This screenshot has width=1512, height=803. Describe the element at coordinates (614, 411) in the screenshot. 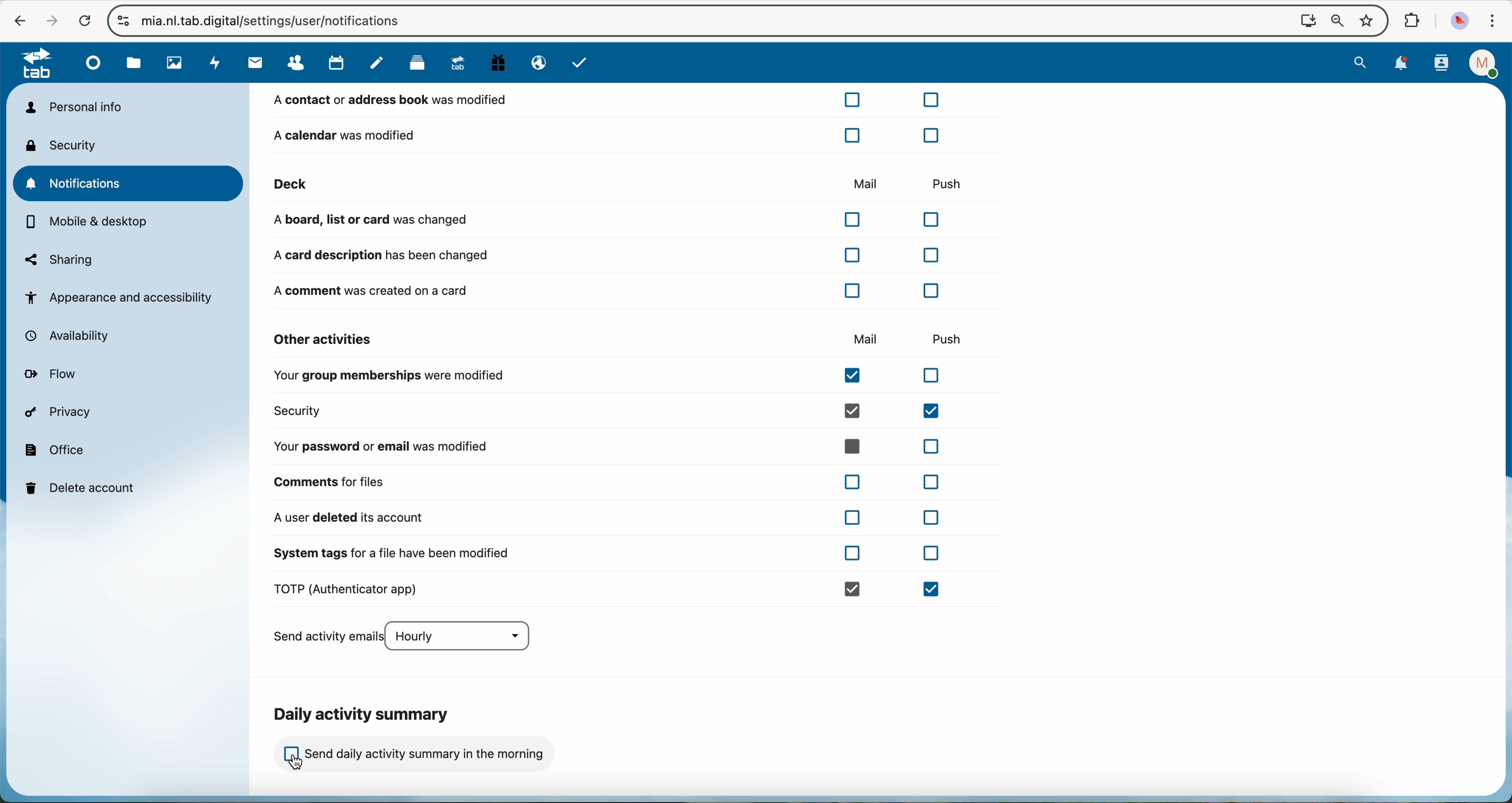

I see `security` at that location.